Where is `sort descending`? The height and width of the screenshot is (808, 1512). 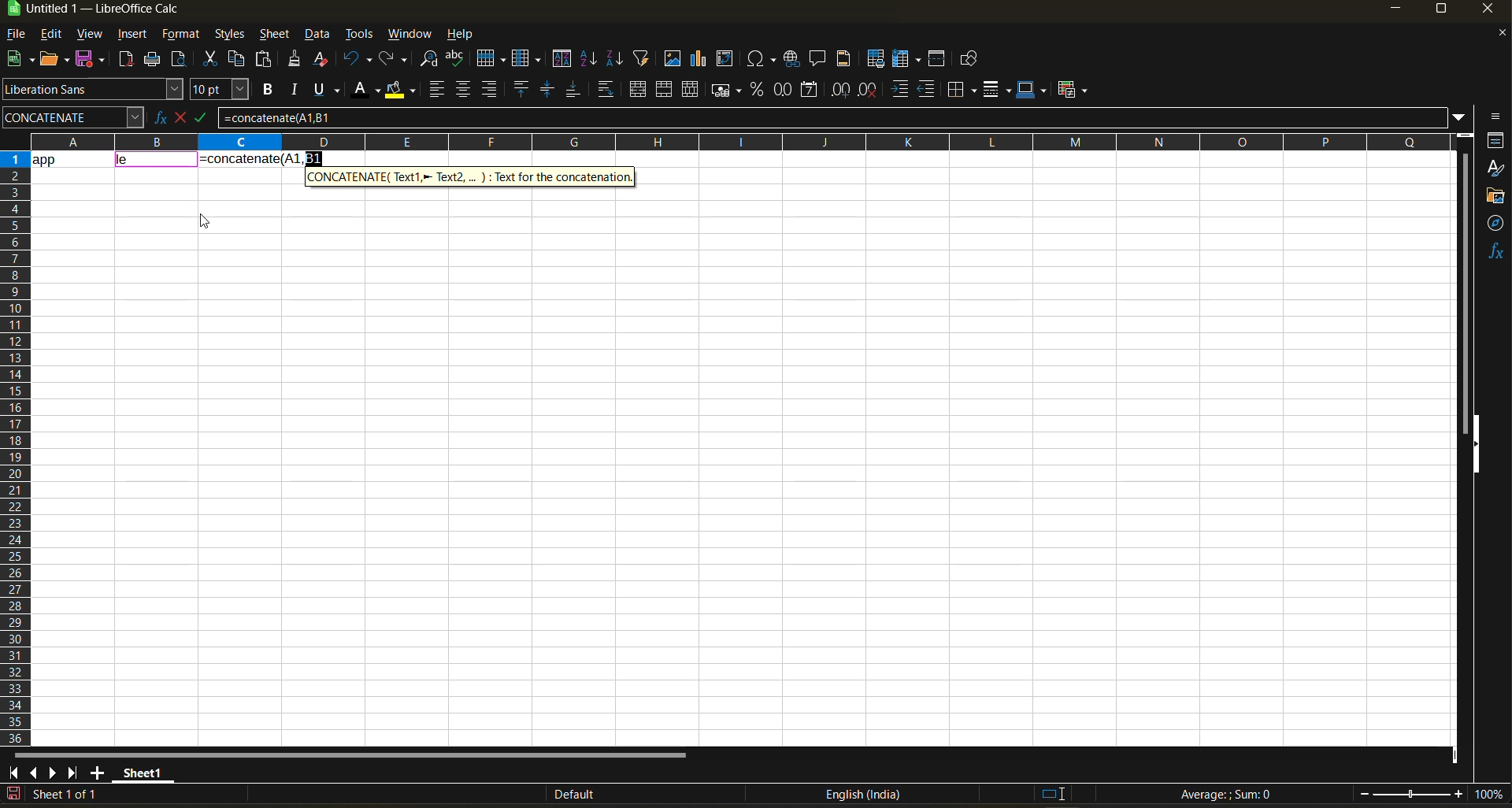 sort descending is located at coordinates (613, 58).